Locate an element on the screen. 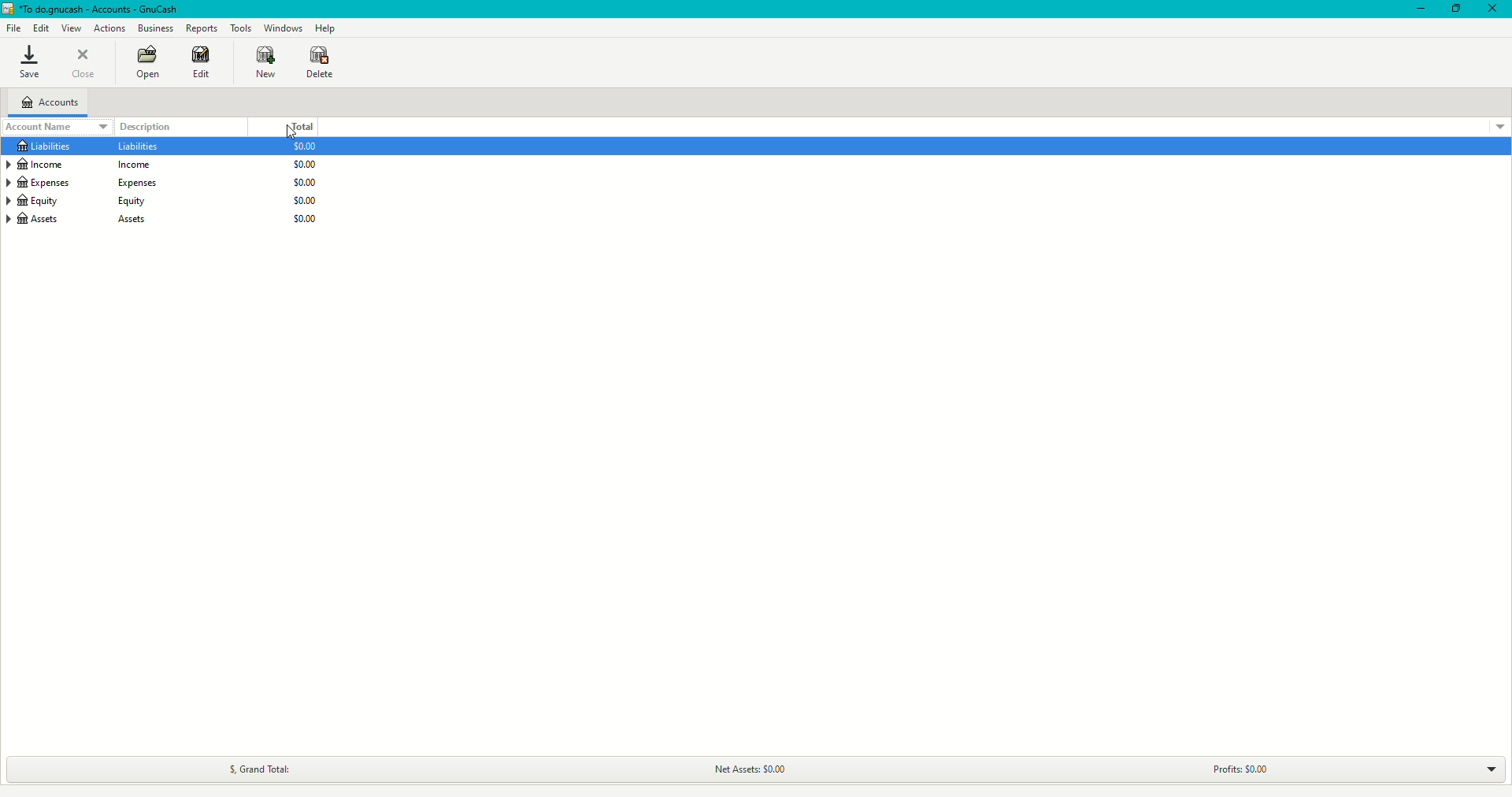 The image size is (1512, 797). Profits is located at coordinates (1240, 766).